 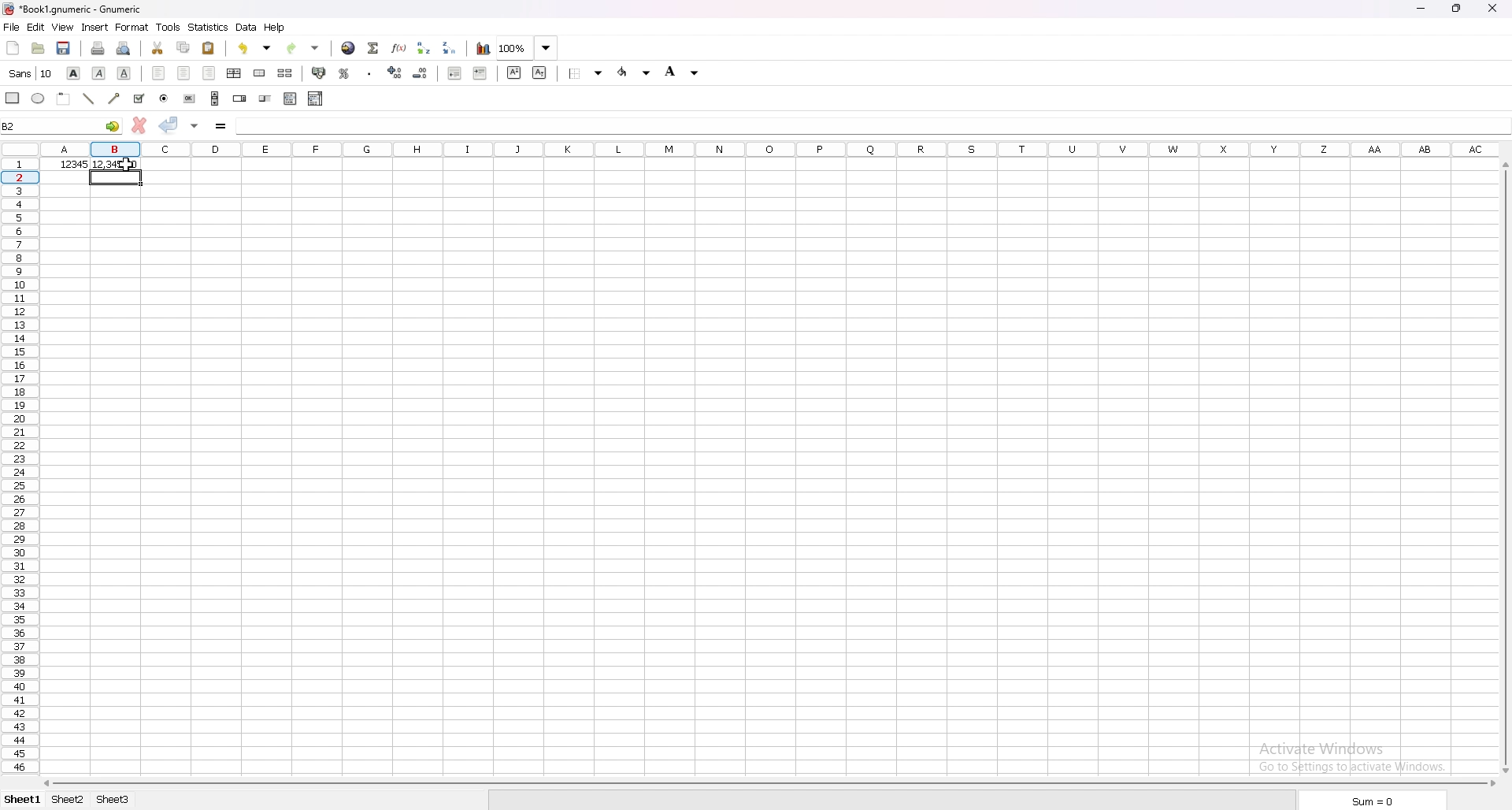 What do you see at coordinates (186, 73) in the screenshot?
I see `centre` at bounding box center [186, 73].